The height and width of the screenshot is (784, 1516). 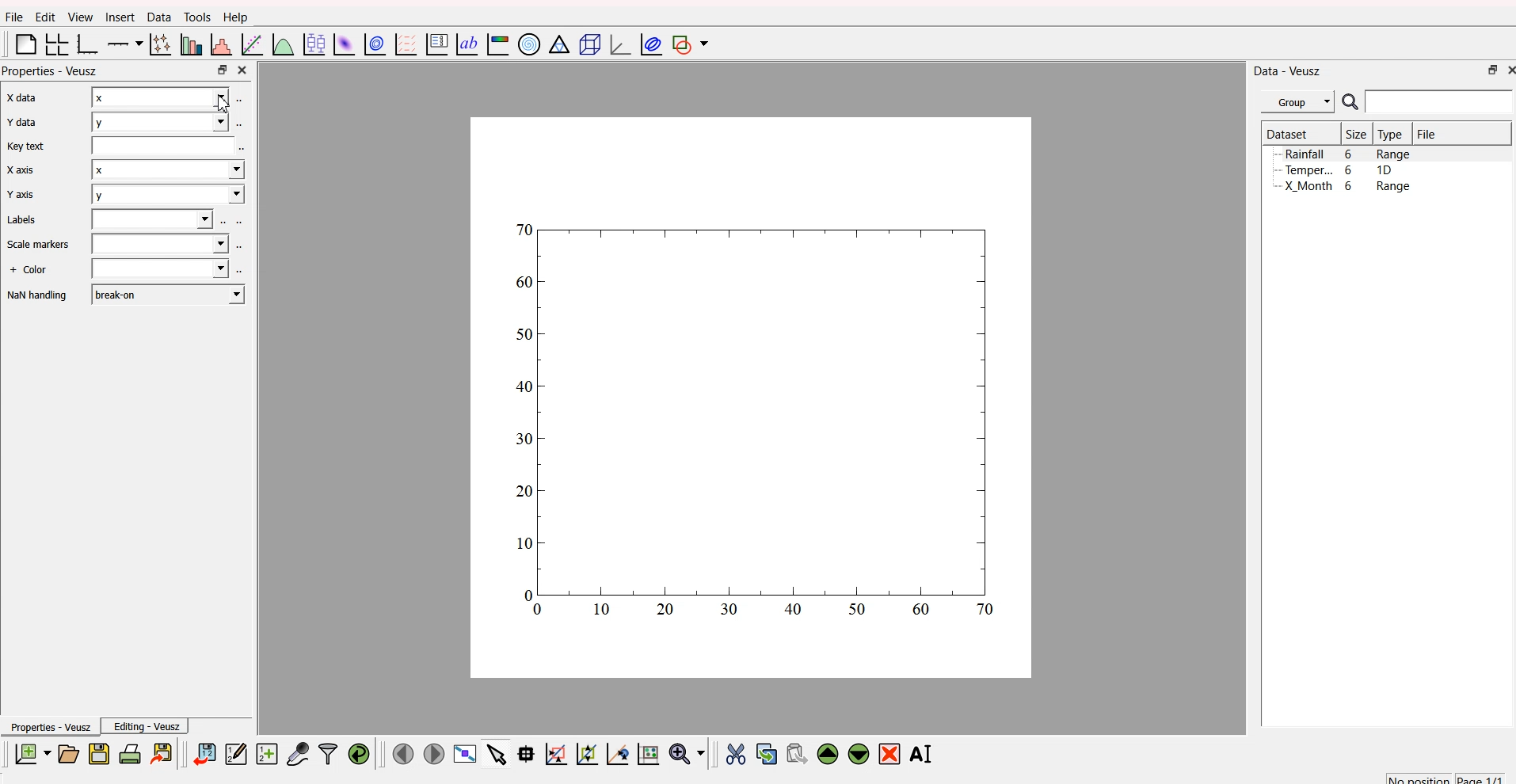 What do you see at coordinates (752, 400) in the screenshot?
I see `canvas` at bounding box center [752, 400].